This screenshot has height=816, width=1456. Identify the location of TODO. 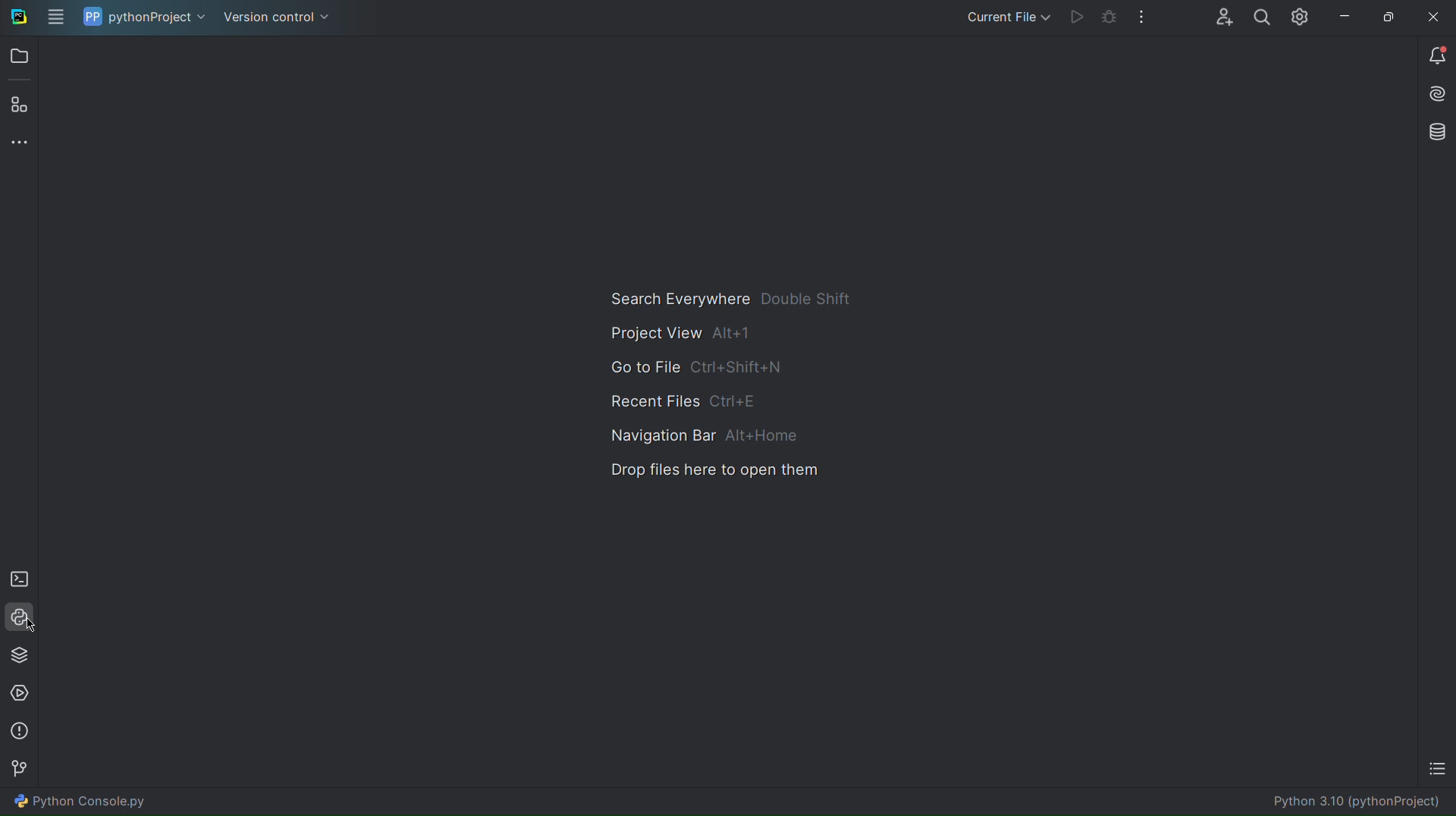
(1435, 767).